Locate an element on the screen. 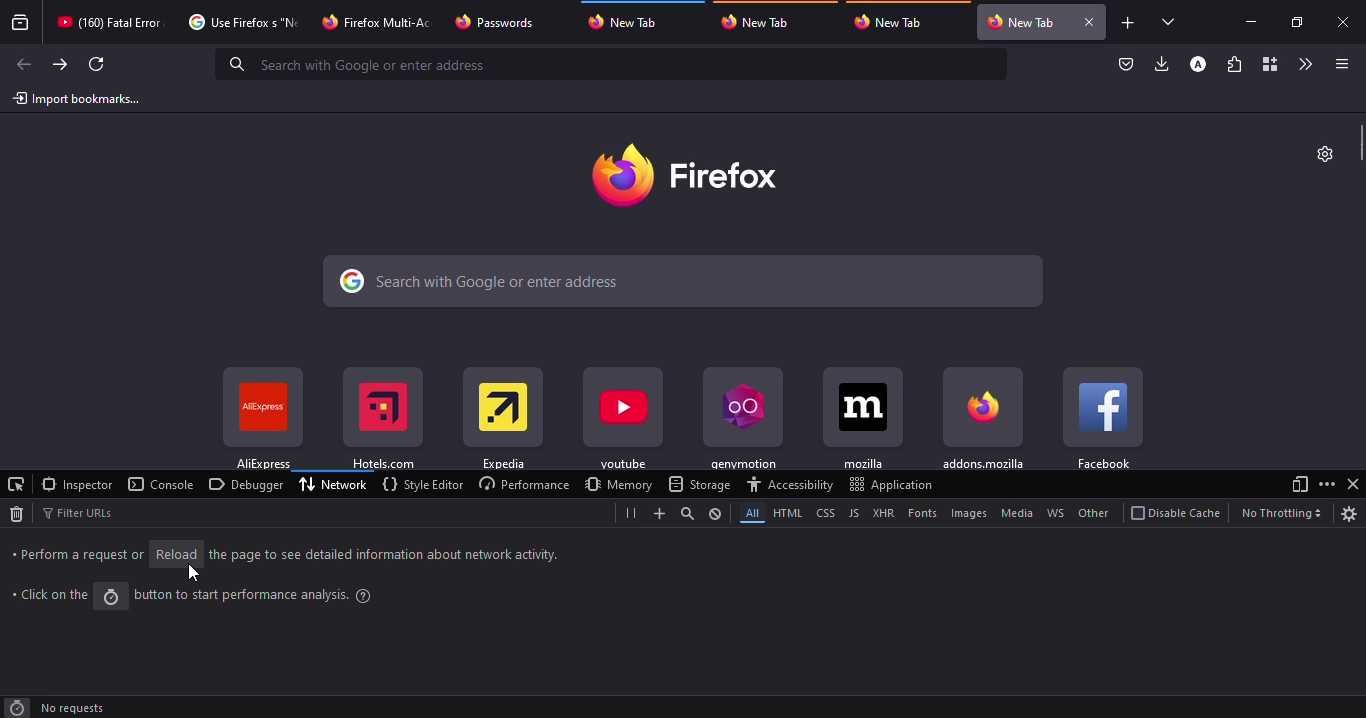  tab is located at coordinates (626, 23).